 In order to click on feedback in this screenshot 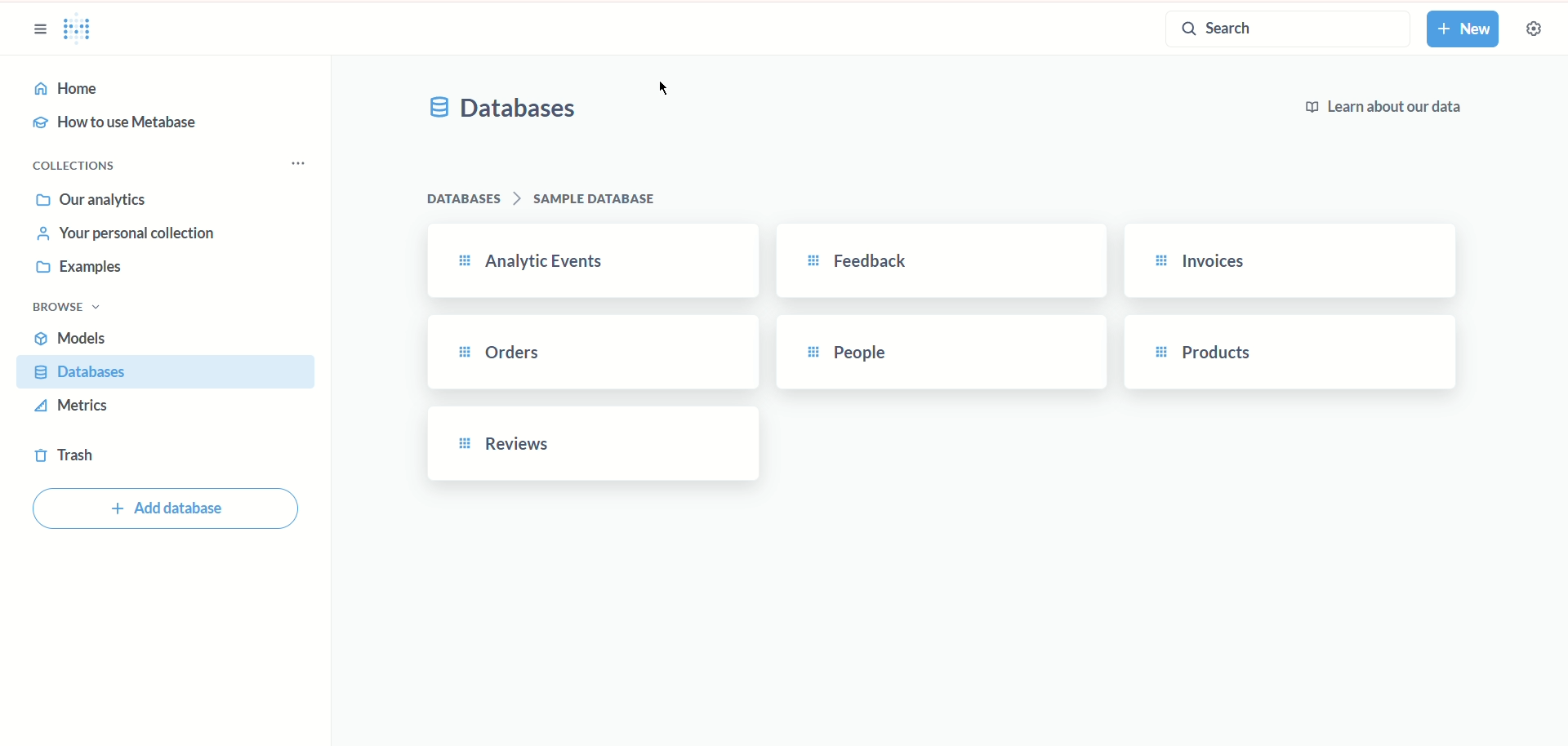, I will do `click(938, 262)`.